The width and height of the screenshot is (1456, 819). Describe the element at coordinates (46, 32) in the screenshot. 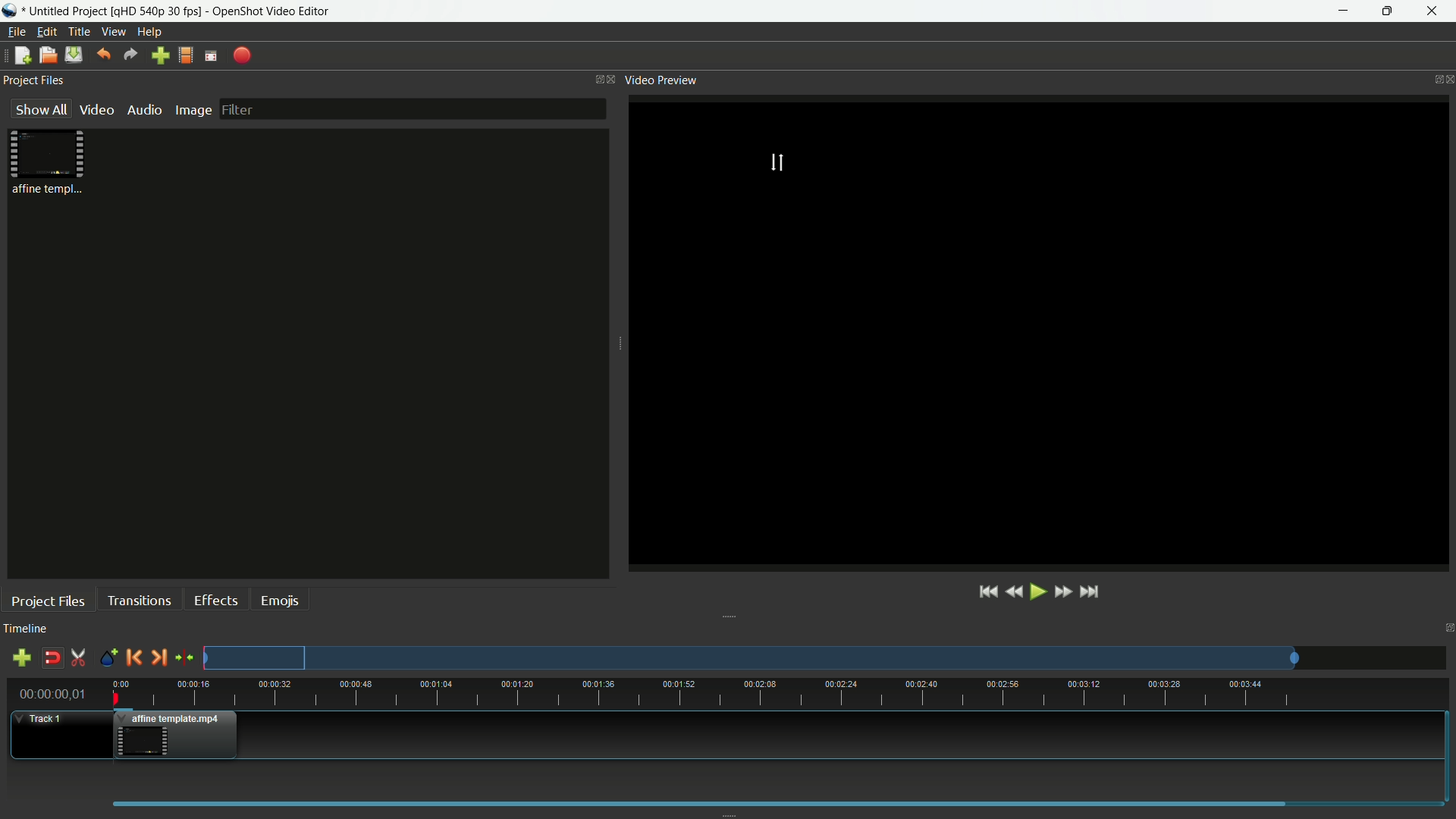

I see `edit menu` at that location.